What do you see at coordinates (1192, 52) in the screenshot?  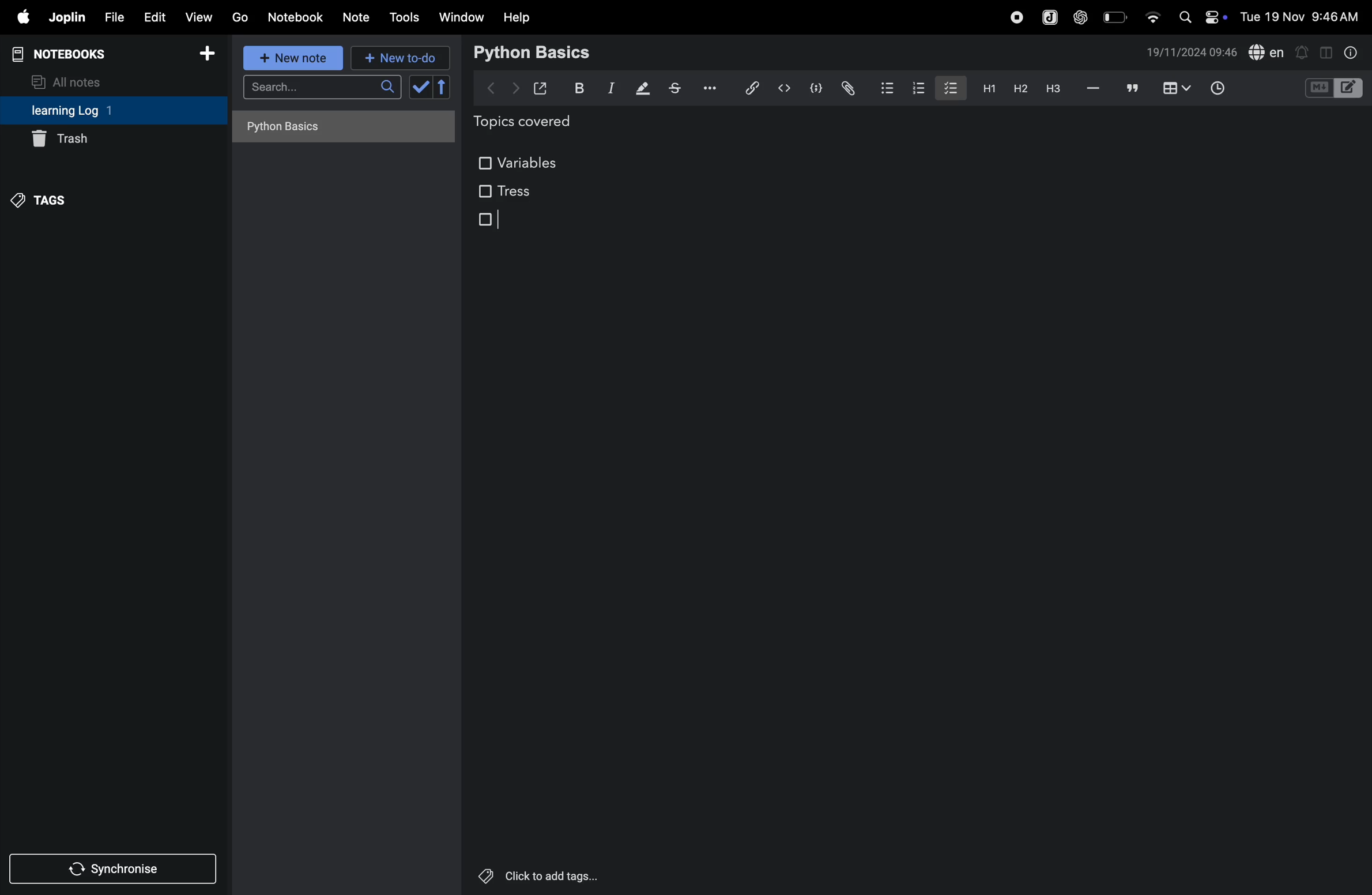 I see `date and time` at bounding box center [1192, 52].